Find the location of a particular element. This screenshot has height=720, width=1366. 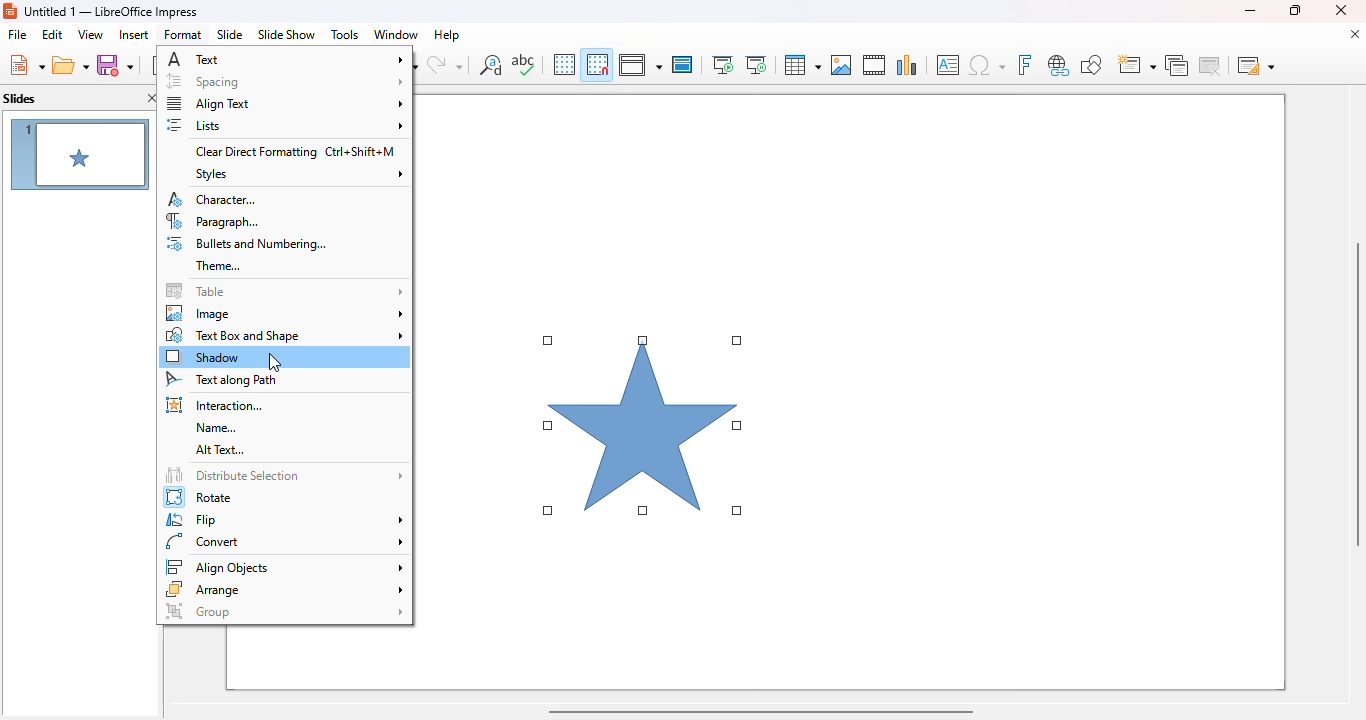

view is located at coordinates (90, 34).